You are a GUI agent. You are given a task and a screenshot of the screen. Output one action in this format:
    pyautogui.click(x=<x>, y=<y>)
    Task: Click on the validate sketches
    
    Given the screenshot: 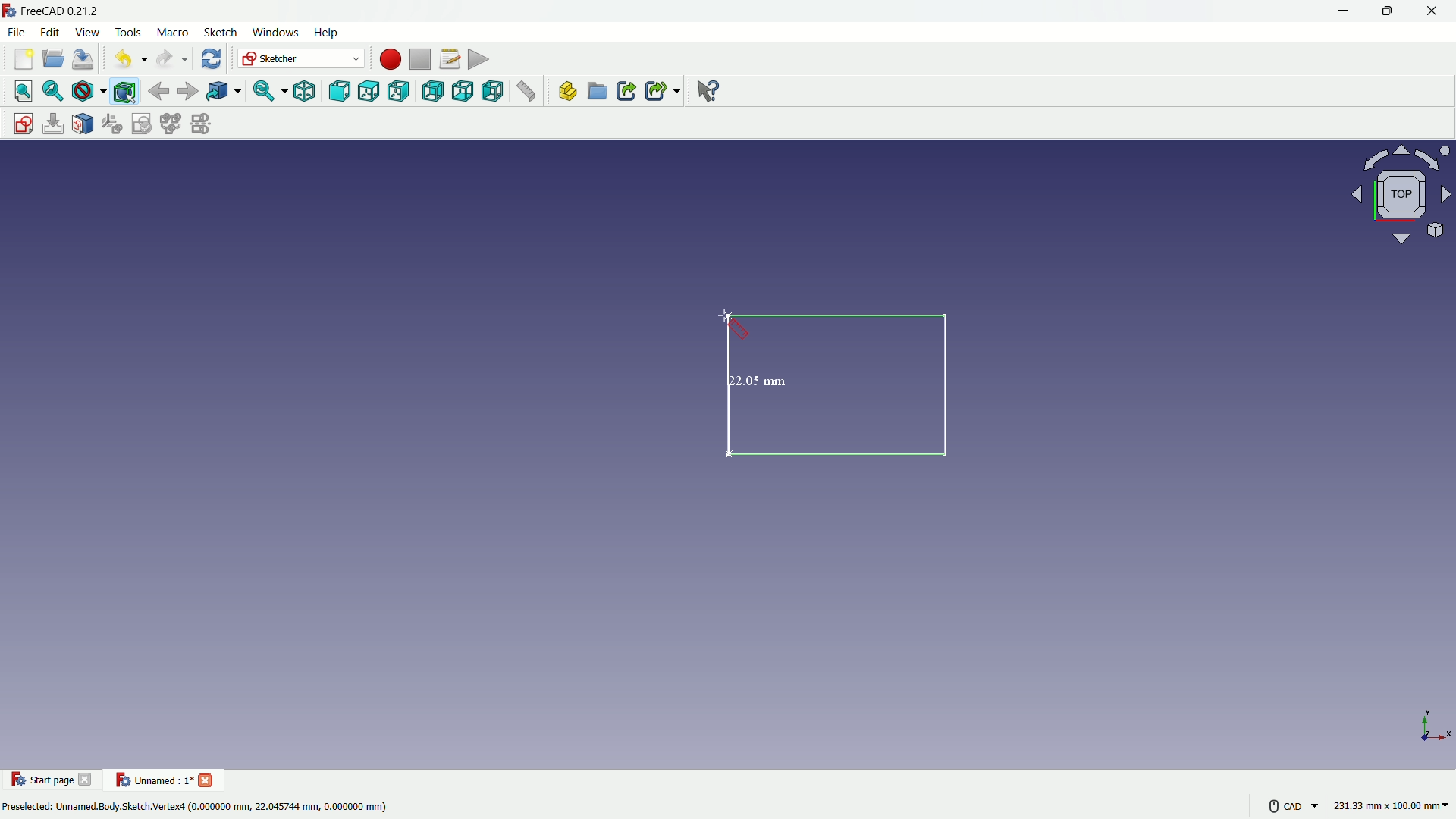 What is the action you would take?
    pyautogui.click(x=143, y=124)
    